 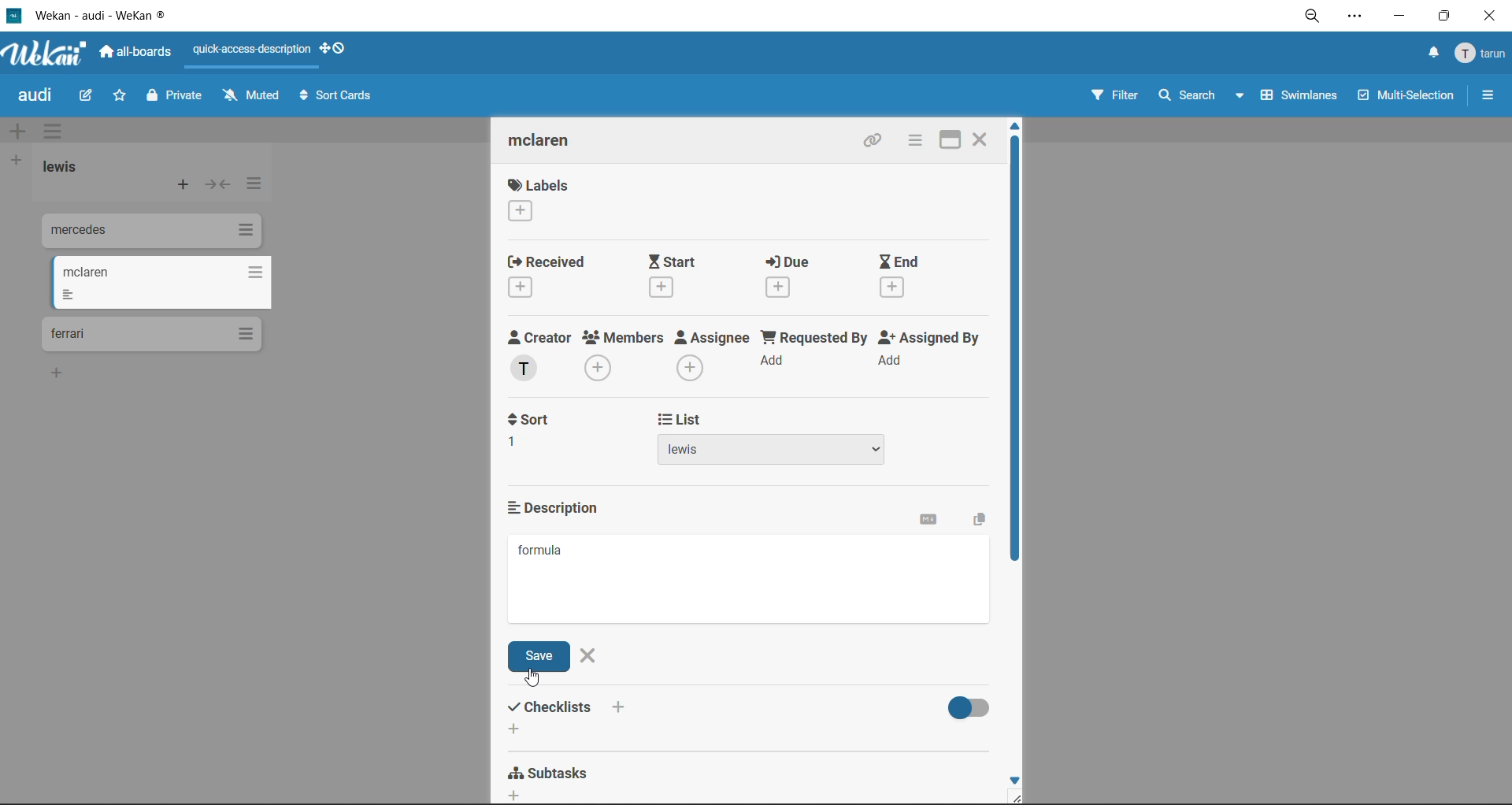 What do you see at coordinates (149, 233) in the screenshot?
I see `cards` at bounding box center [149, 233].